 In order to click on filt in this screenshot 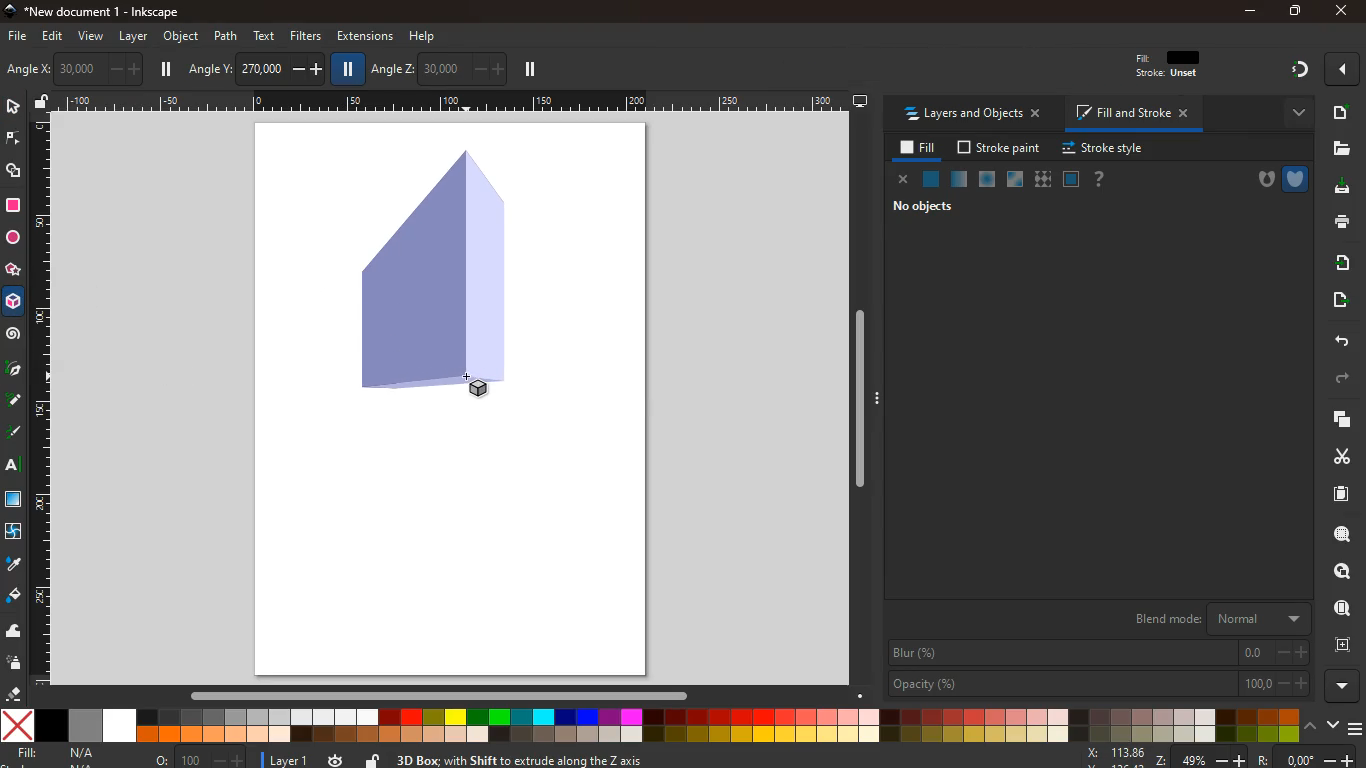, I will do `click(1169, 69)`.